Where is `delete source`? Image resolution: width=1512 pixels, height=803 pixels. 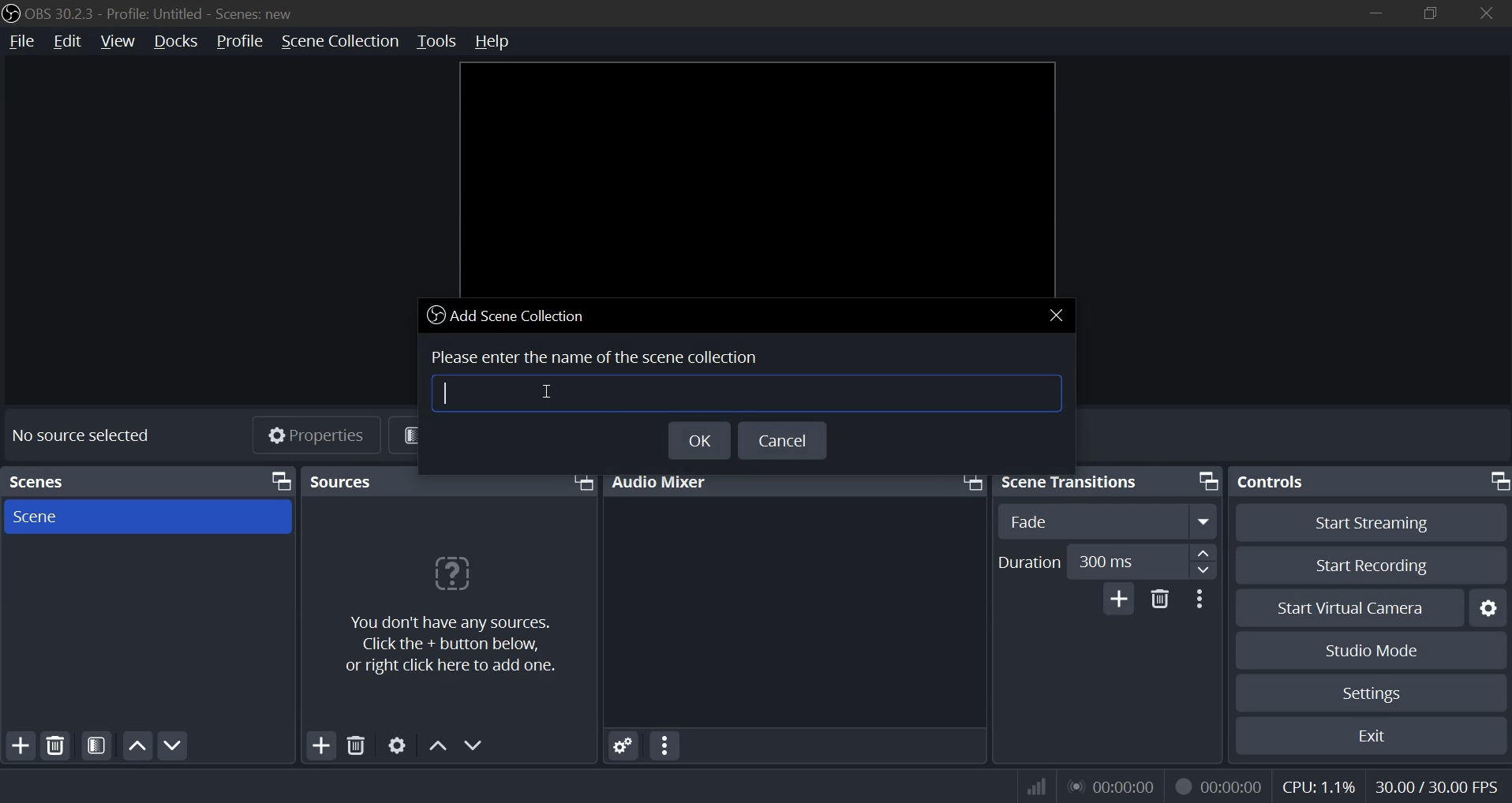
delete source is located at coordinates (56, 744).